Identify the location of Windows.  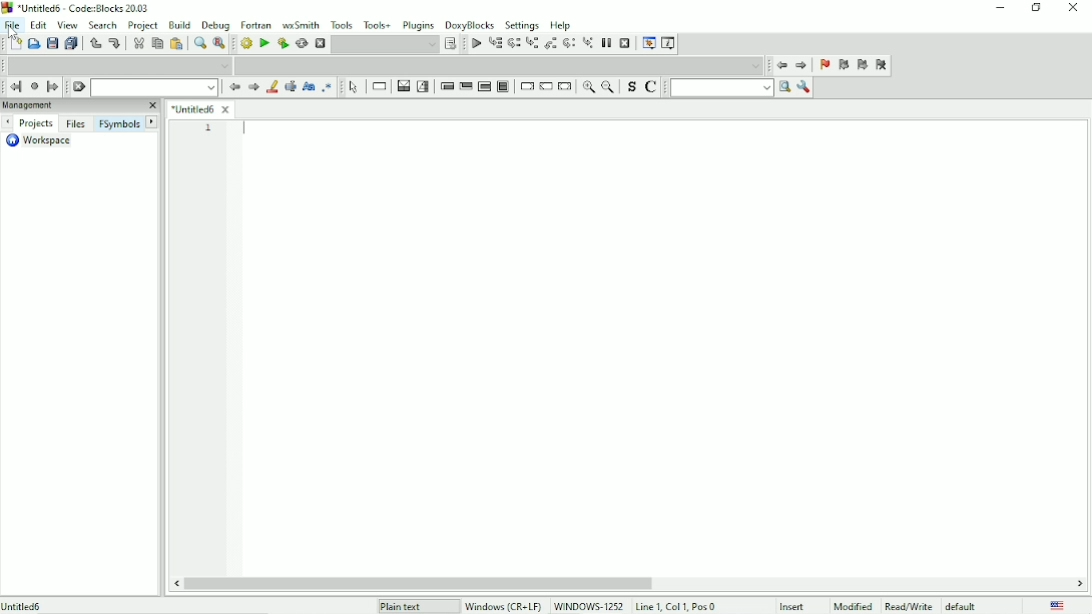
(543, 605).